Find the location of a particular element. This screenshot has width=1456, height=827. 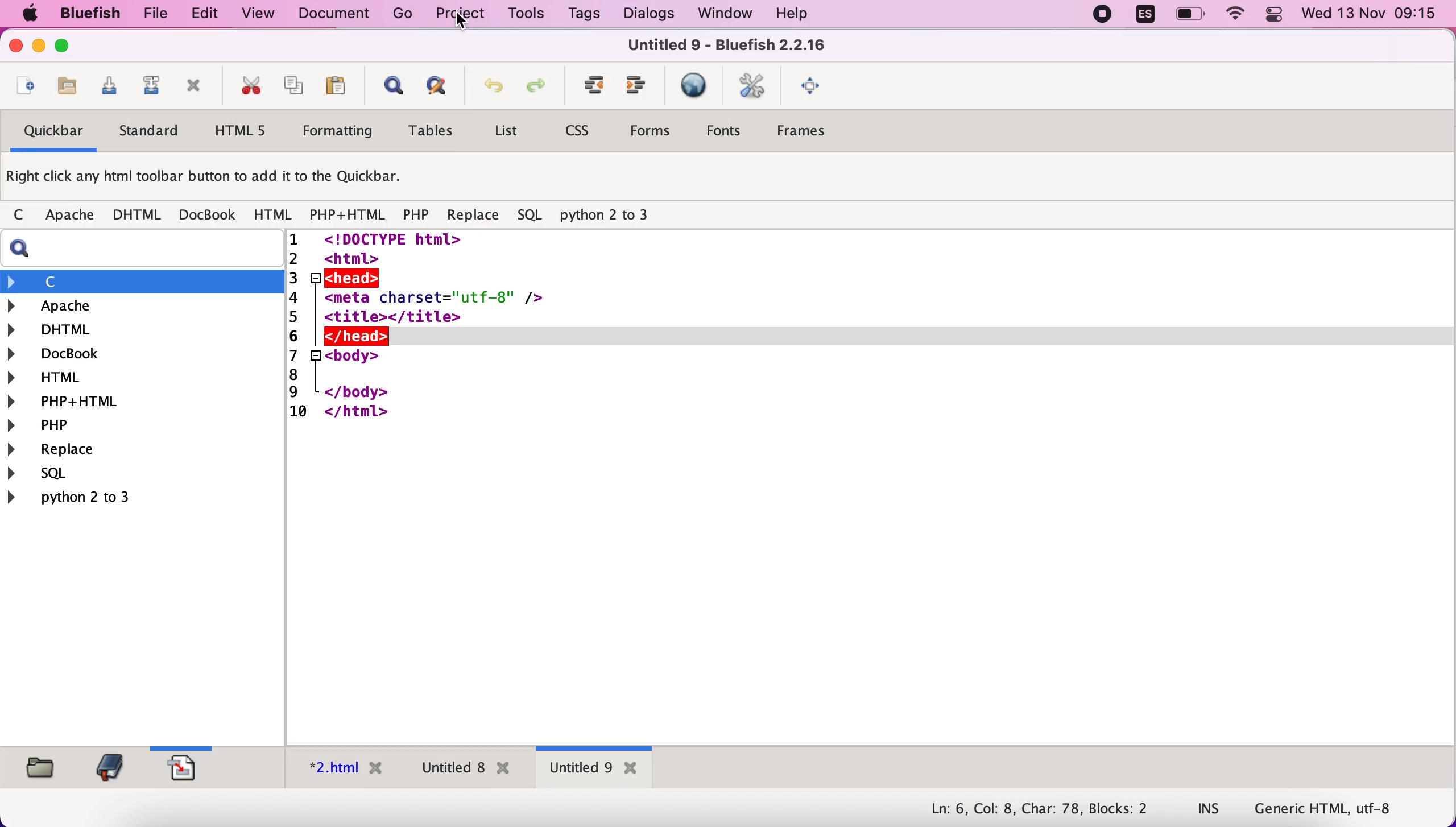

view is located at coordinates (259, 13).